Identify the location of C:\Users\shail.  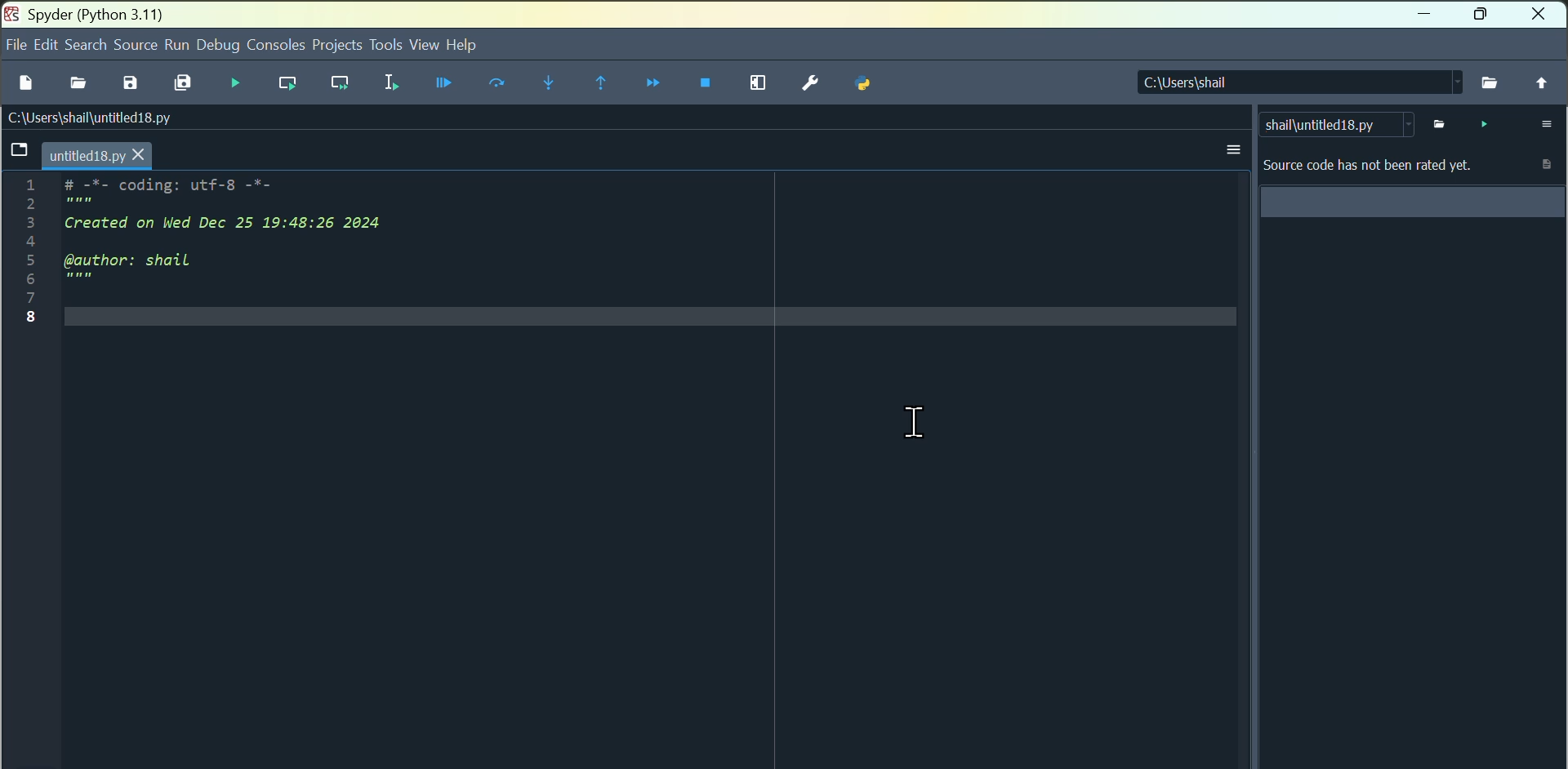
(1299, 82).